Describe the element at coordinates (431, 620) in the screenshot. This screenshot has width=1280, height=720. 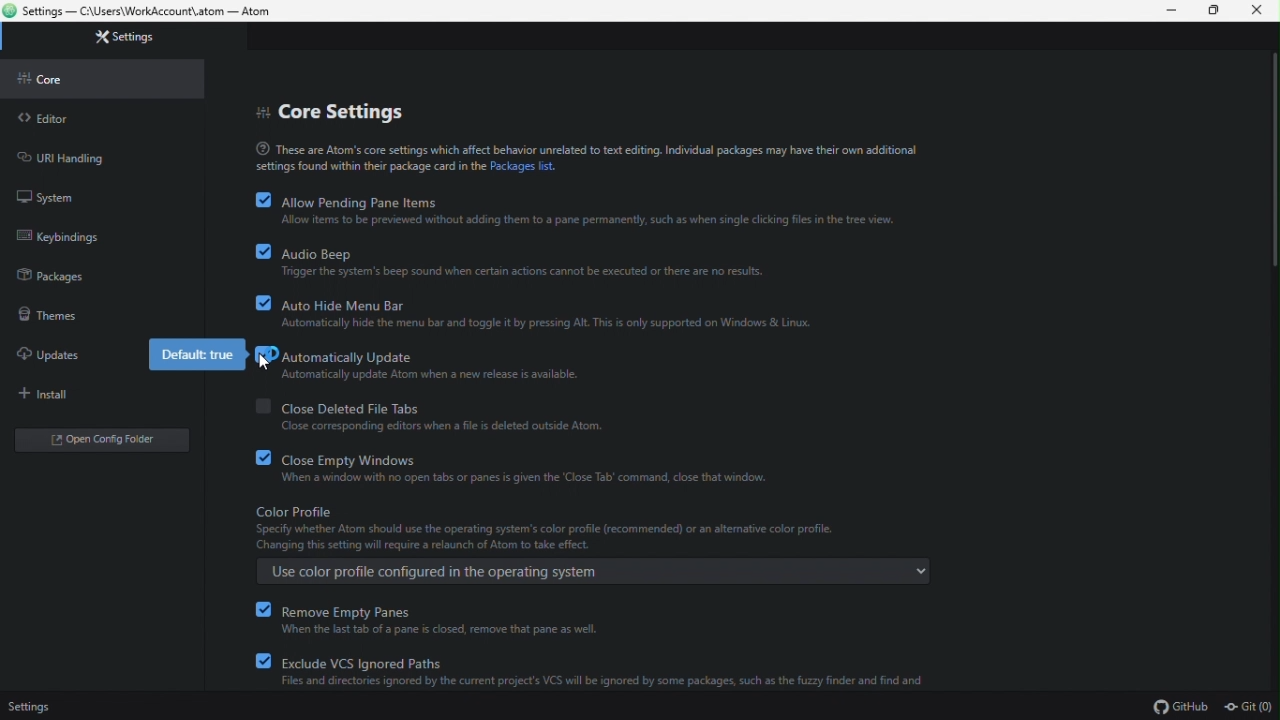
I see `remove empty panes` at that location.